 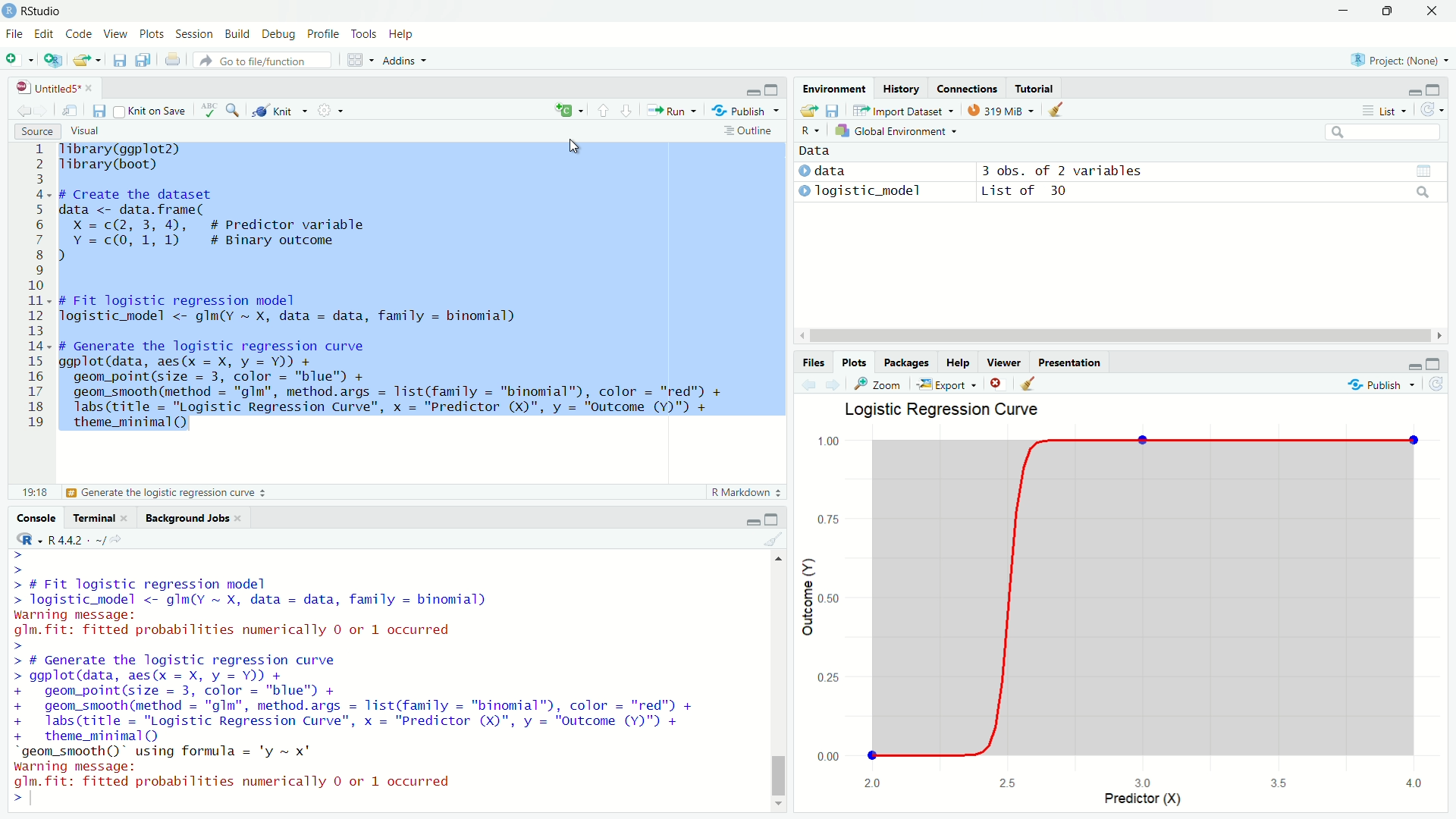 I want to click on Previous plot, so click(x=808, y=385).